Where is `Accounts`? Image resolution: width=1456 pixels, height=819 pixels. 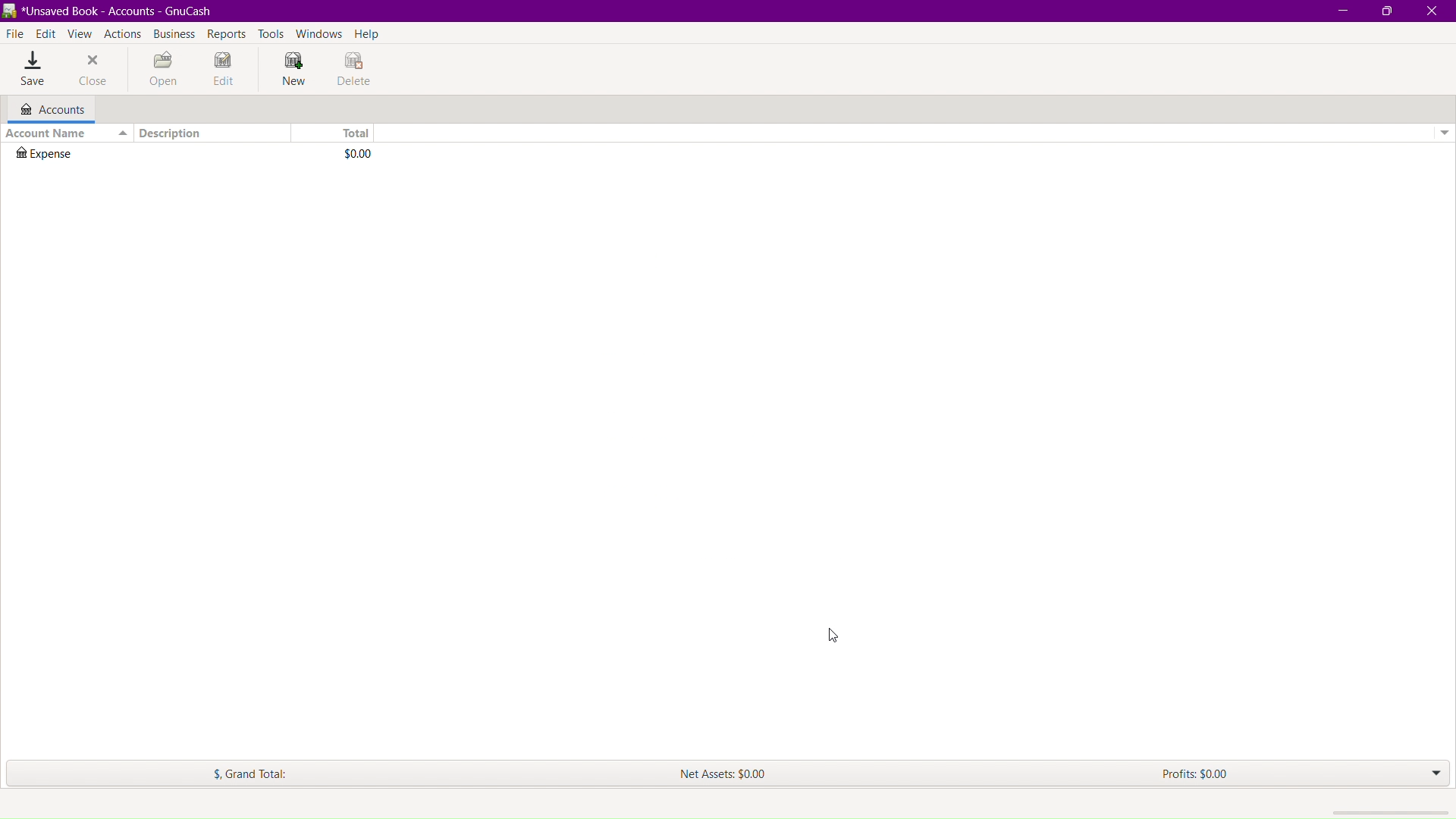 Accounts is located at coordinates (47, 109).